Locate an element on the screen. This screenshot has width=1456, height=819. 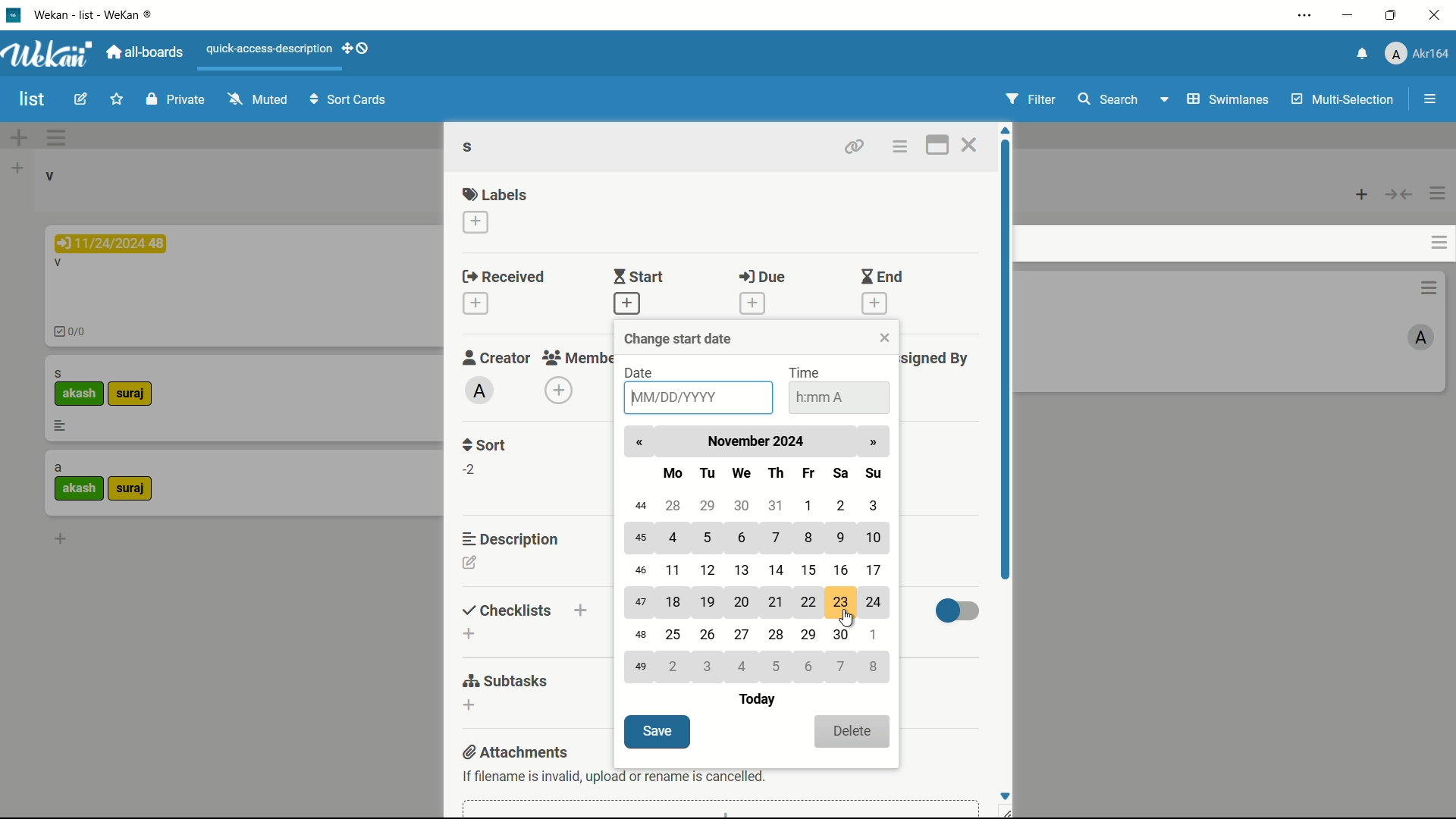
muted is located at coordinates (260, 98).